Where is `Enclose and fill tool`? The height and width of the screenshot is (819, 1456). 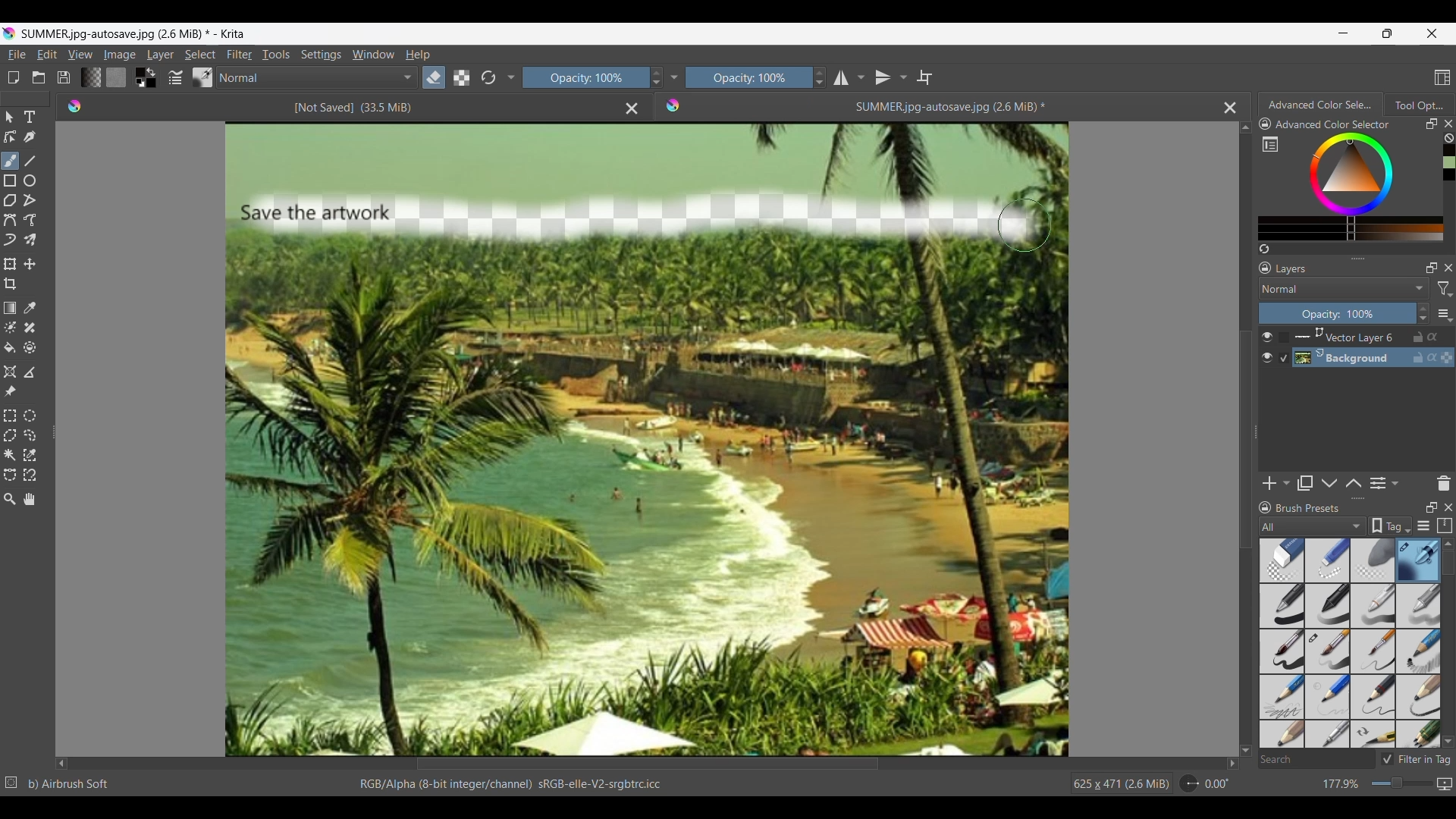
Enclose and fill tool is located at coordinates (30, 347).